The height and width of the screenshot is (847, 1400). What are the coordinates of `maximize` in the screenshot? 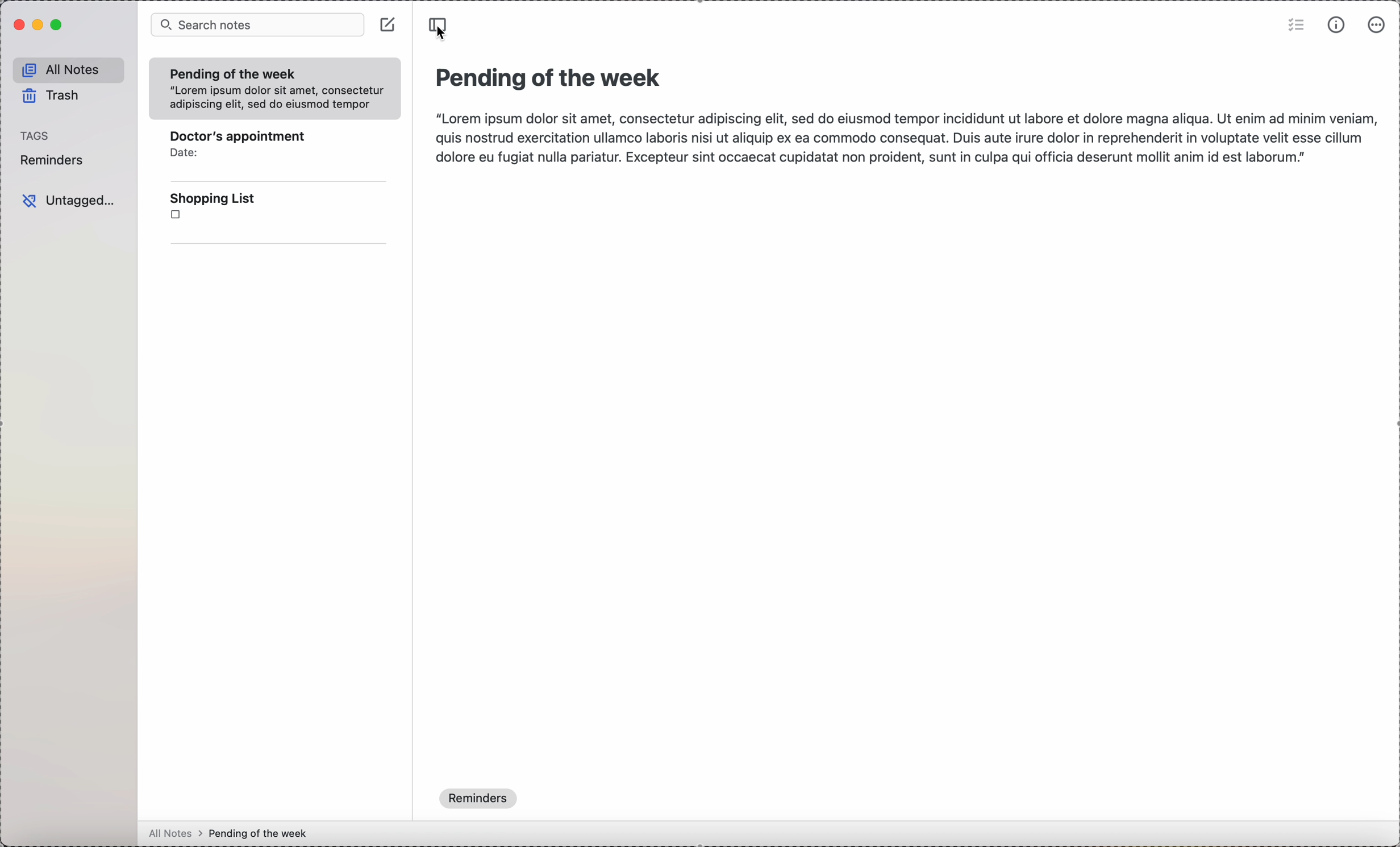 It's located at (57, 27).